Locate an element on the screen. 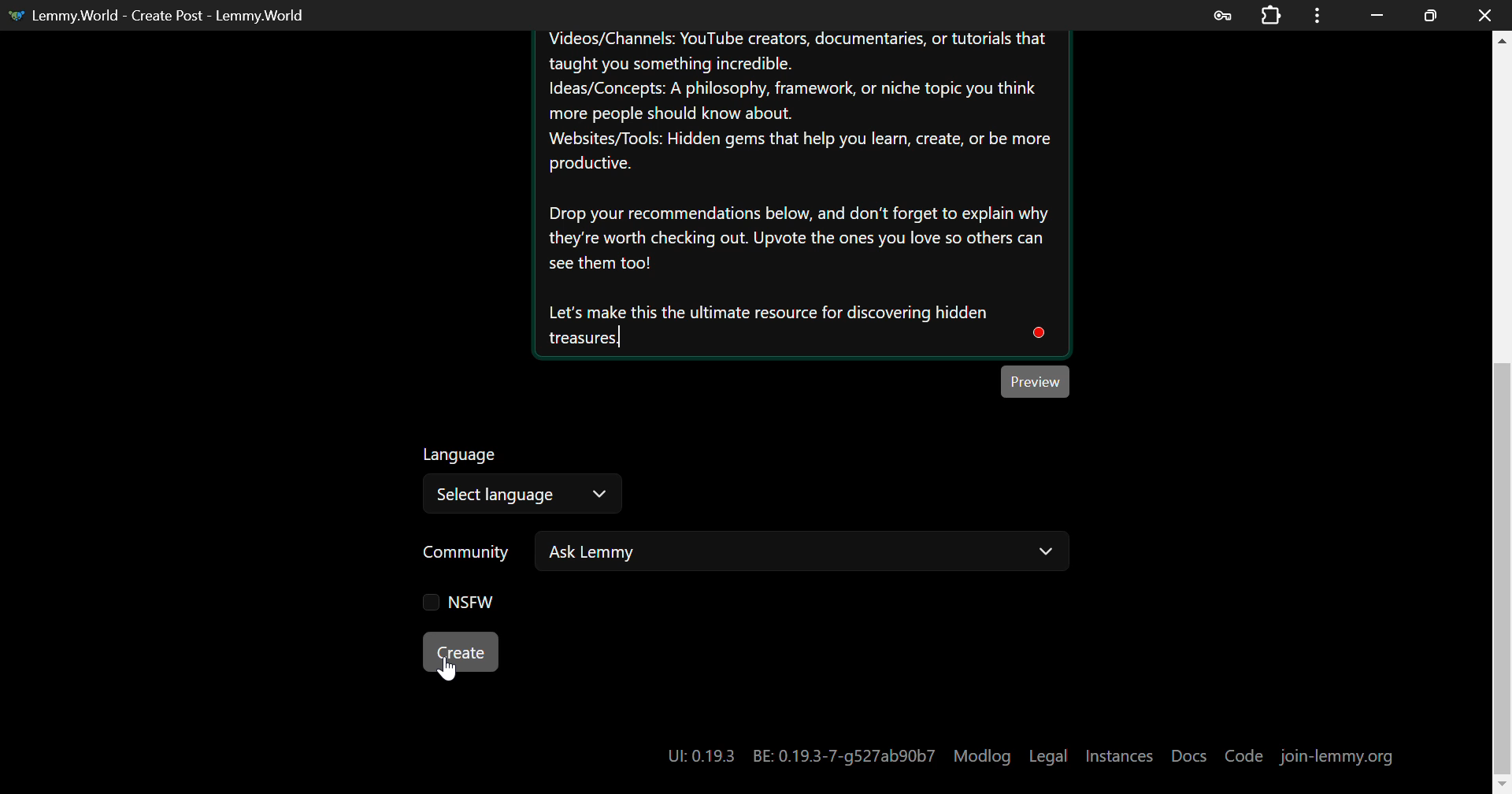 This screenshot has height=794, width=1512. Cursor on Create is located at coordinates (448, 671).